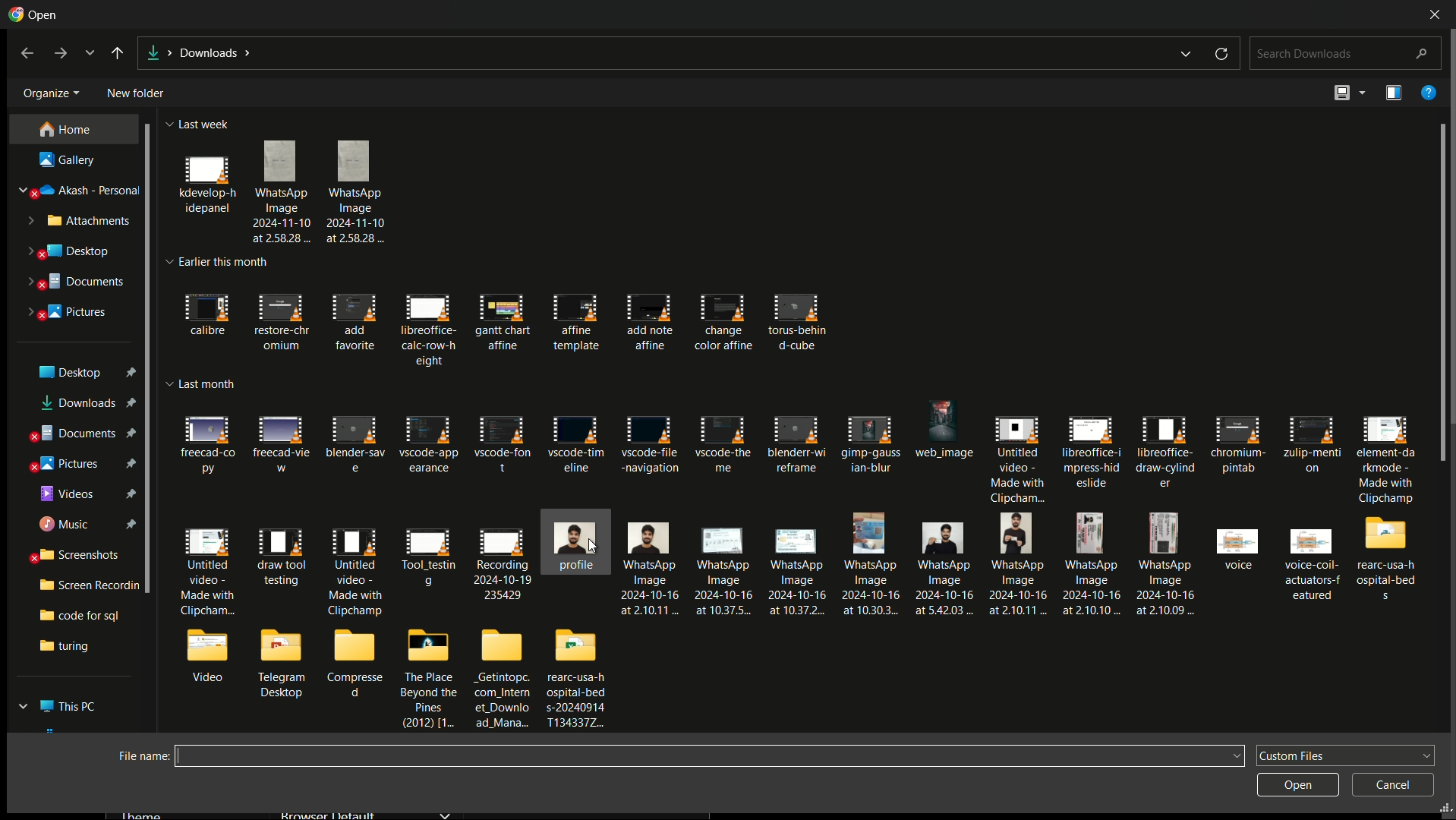 This screenshot has height=820, width=1456. I want to click on open, so click(1297, 785).